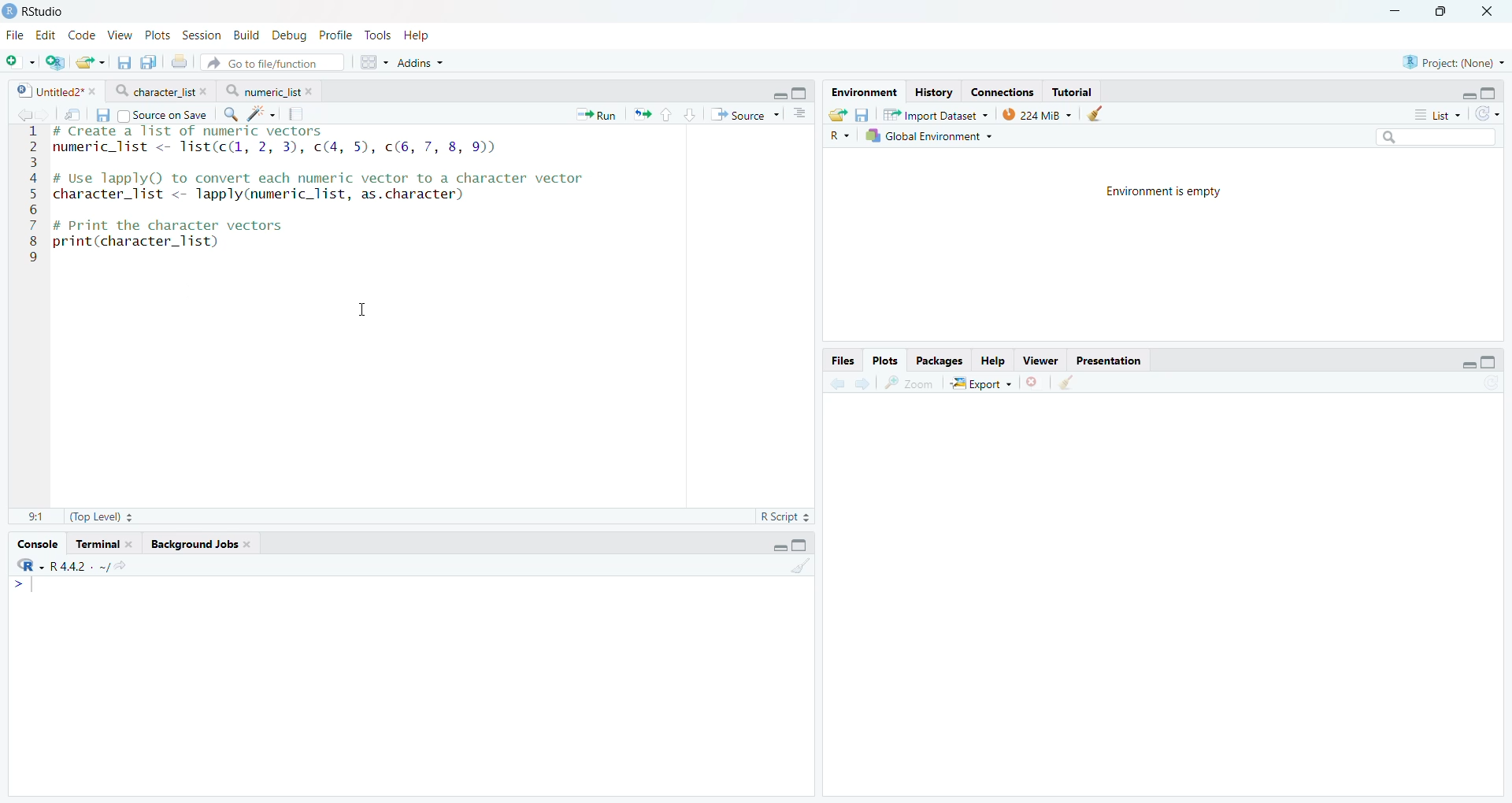 The width and height of the screenshot is (1512, 803). What do you see at coordinates (35, 516) in the screenshot?
I see `1:1` at bounding box center [35, 516].